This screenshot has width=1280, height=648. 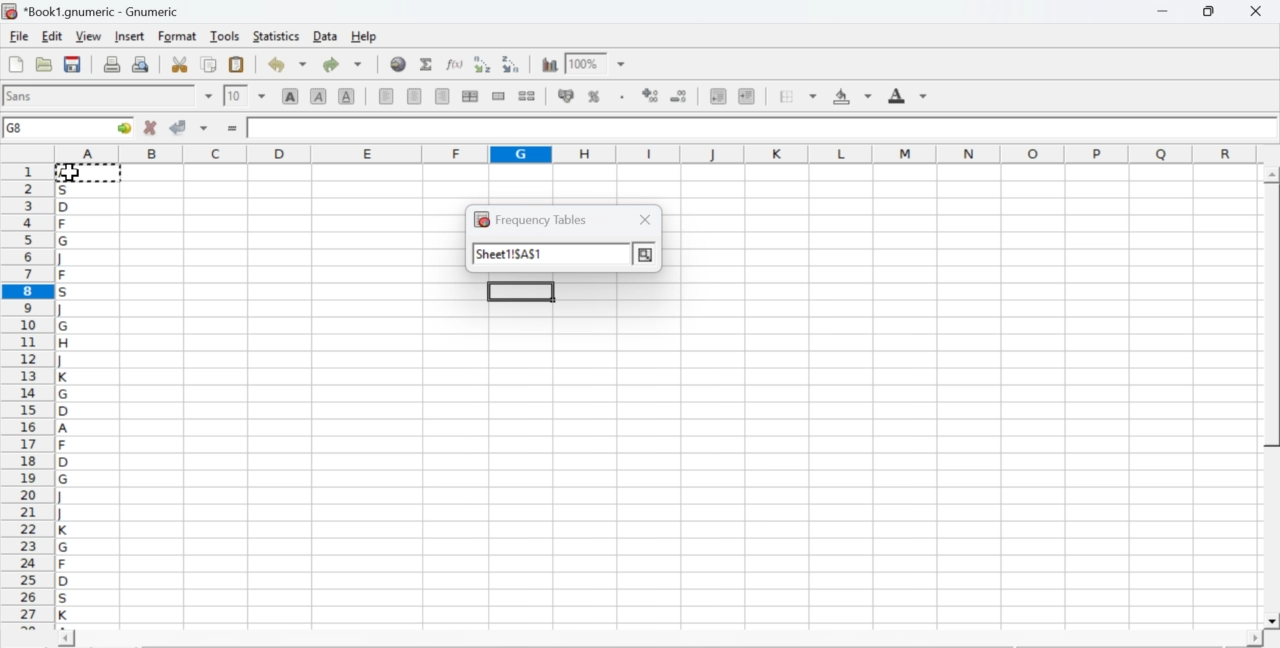 What do you see at coordinates (235, 96) in the screenshot?
I see `10` at bounding box center [235, 96].